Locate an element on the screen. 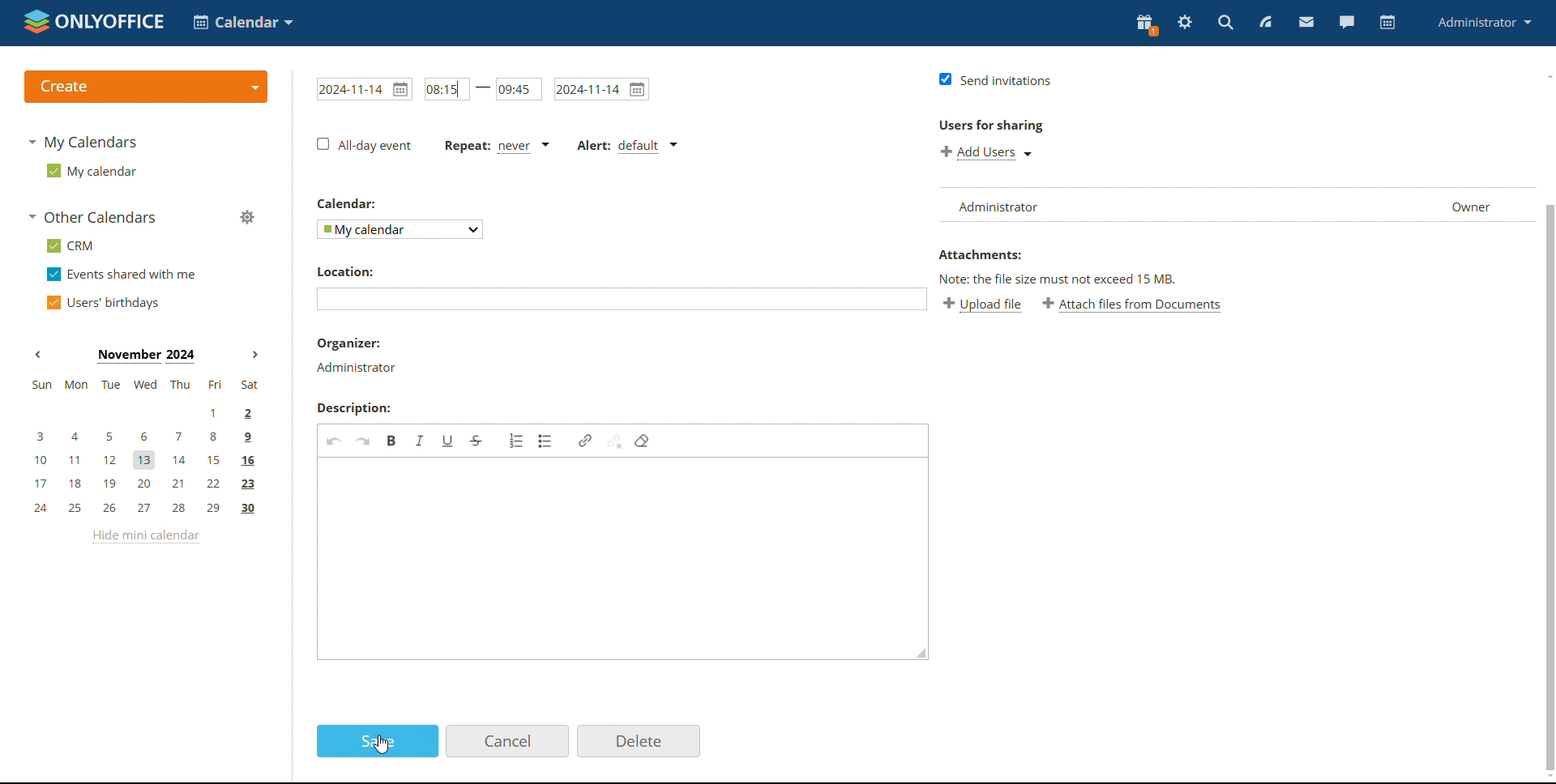 The height and width of the screenshot is (784, 1556). Link is located at coordinates (586, 441).